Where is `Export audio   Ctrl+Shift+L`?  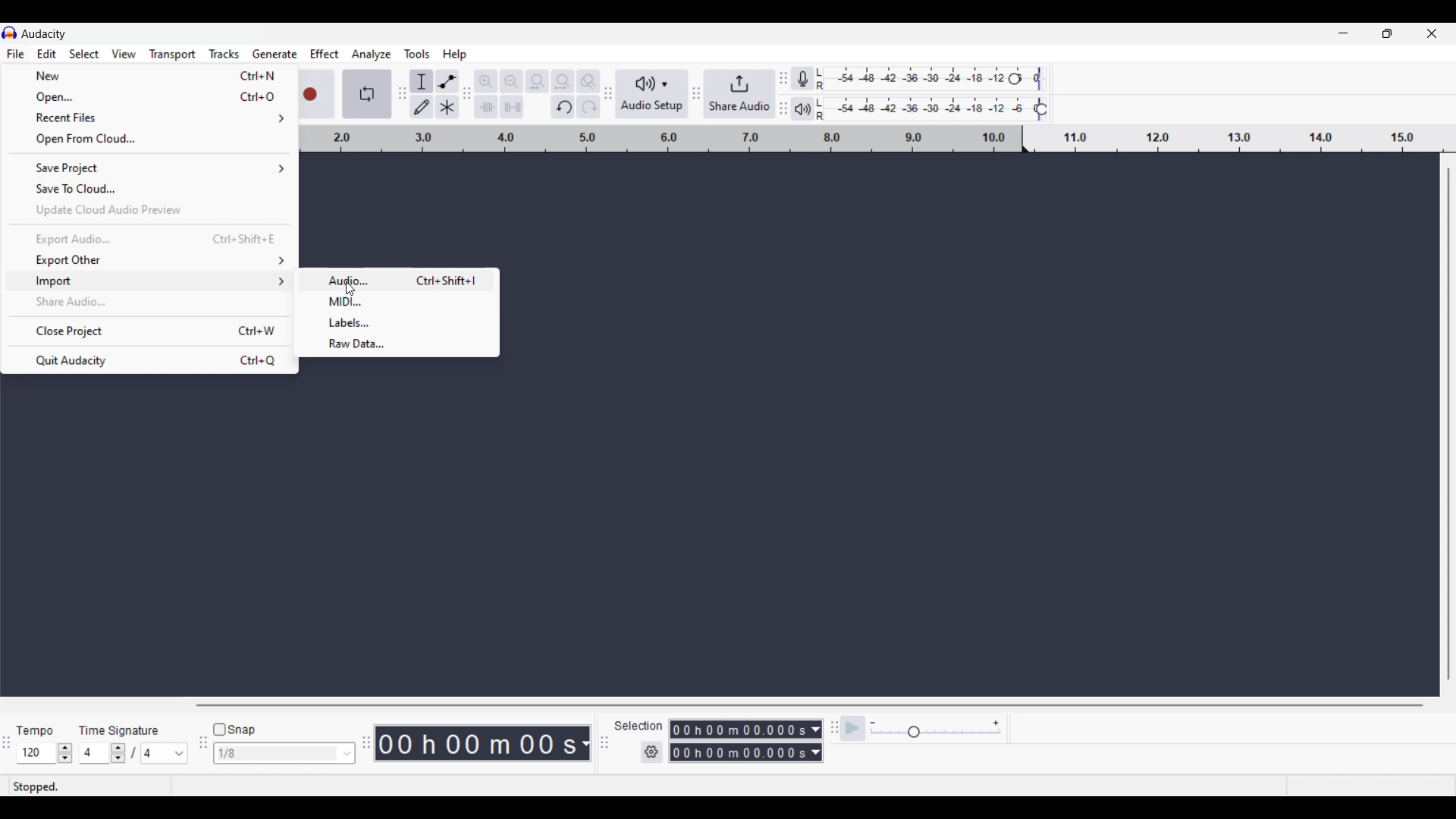
Export audio   Ctrl+Shift+L is located at coordinates (149, 240).